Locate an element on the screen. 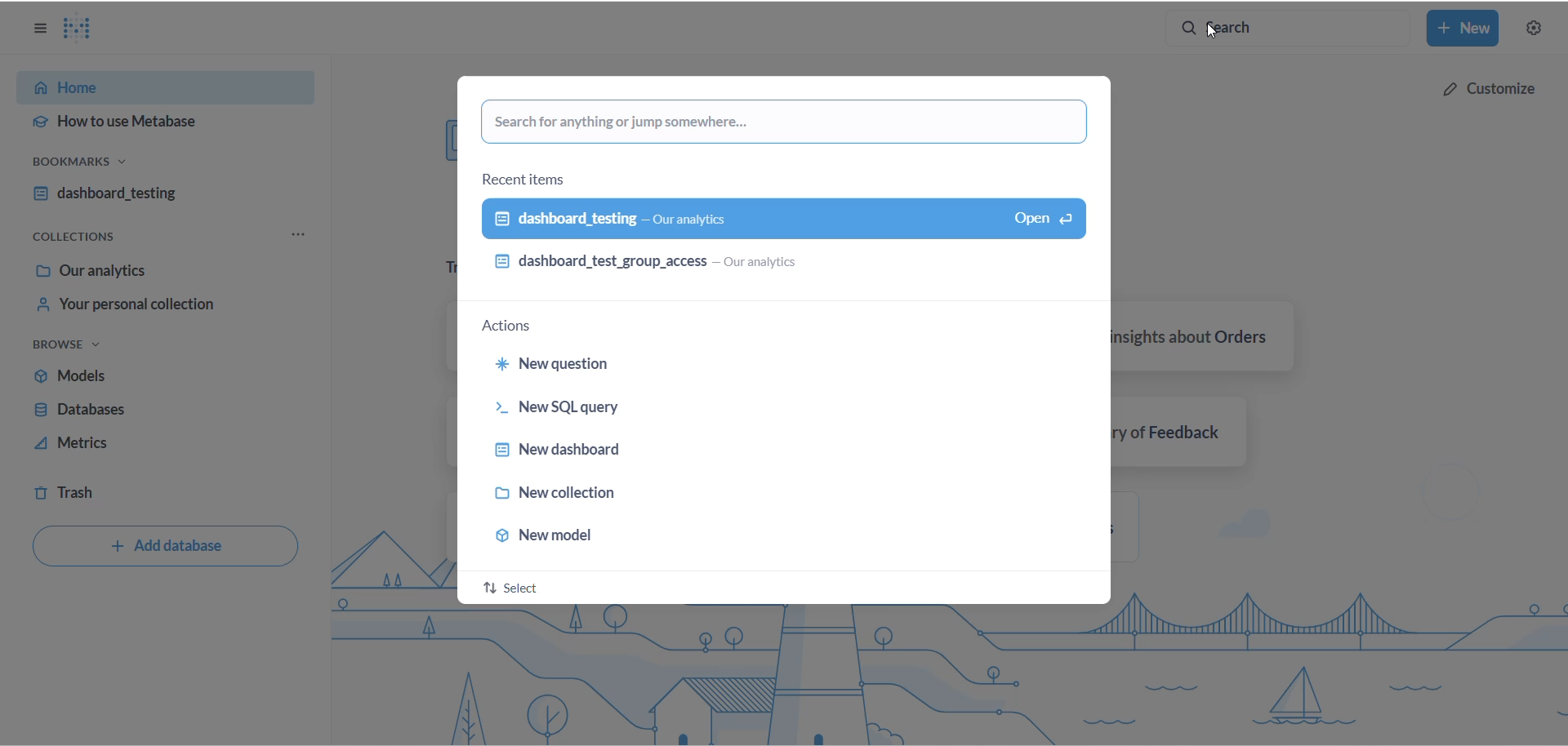 Image resolution: width=1568 pixels, height=746 pixels. recently accessed dashboard -dashboard_testing is located at coordinates (781, 264).